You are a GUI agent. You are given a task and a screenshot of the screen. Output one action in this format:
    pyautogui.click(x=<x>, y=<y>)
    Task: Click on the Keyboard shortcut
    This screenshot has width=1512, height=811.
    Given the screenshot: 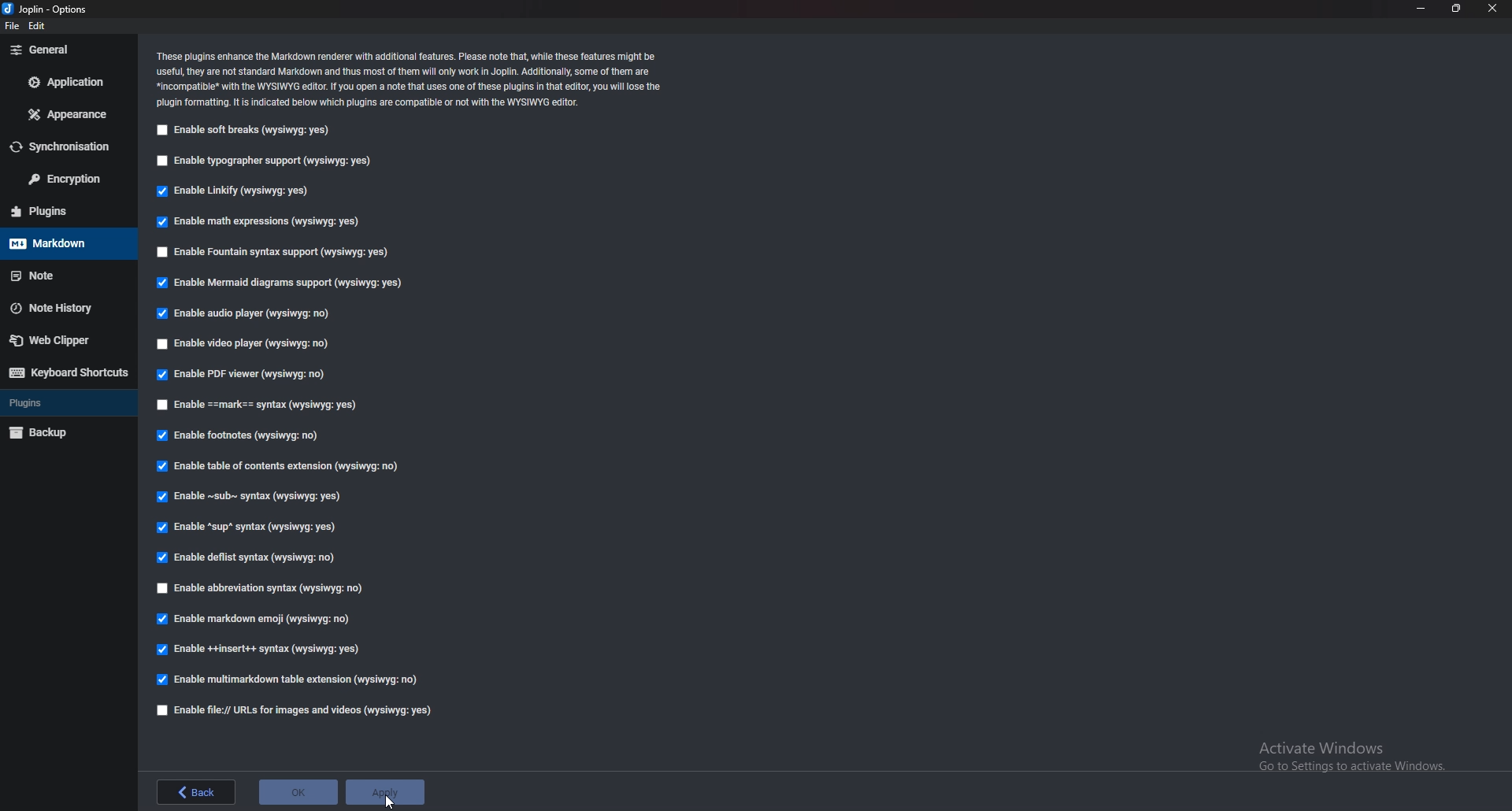 What is the action you would take?
    pyautogui.click(x=68, y=373)
    